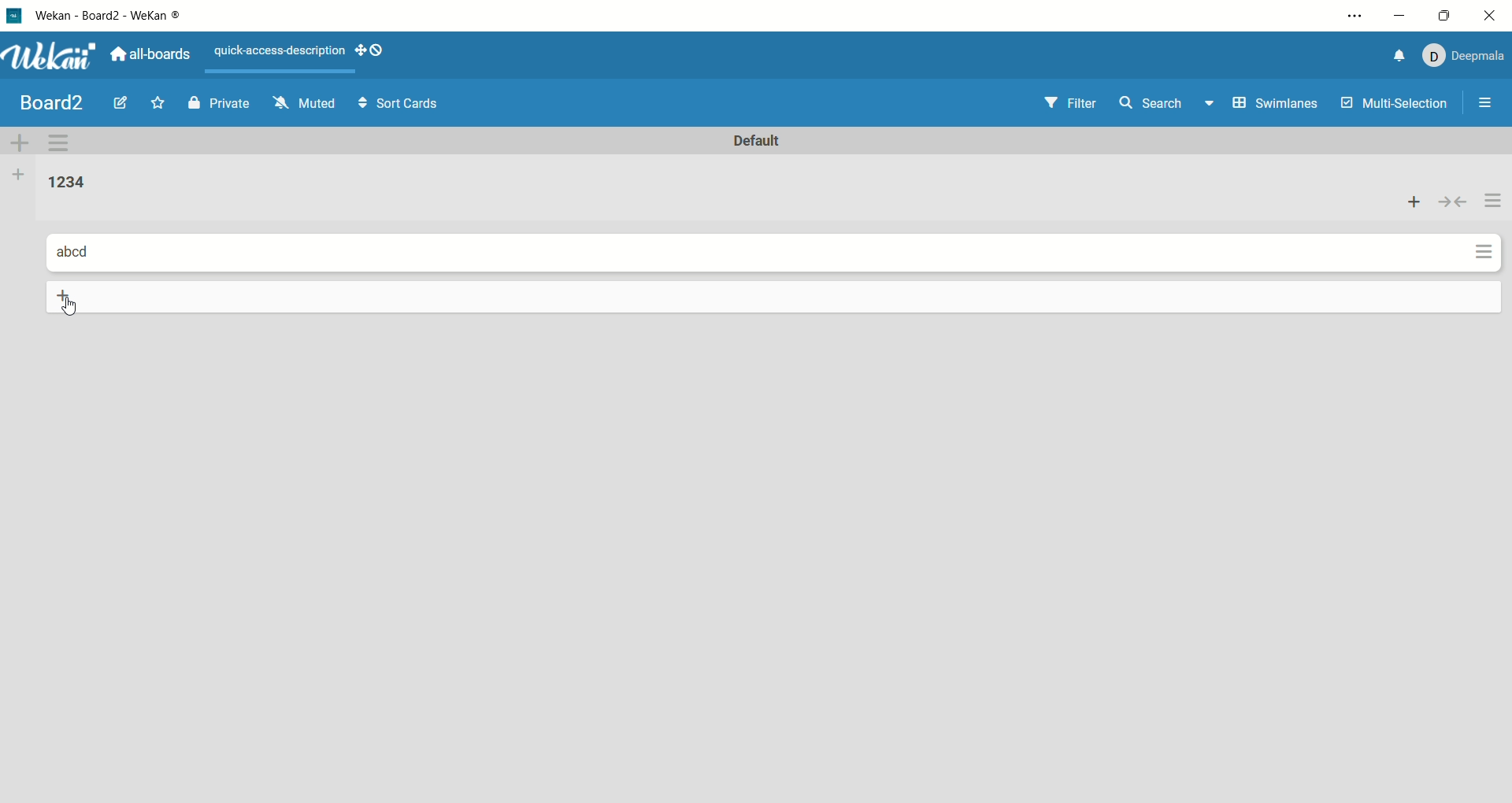 The height and width of the screenshot is (803, 1512). What do you see at coordinates (1393, 56) in the screenshot?
I see `notification` at bounding box center [1393, 56].